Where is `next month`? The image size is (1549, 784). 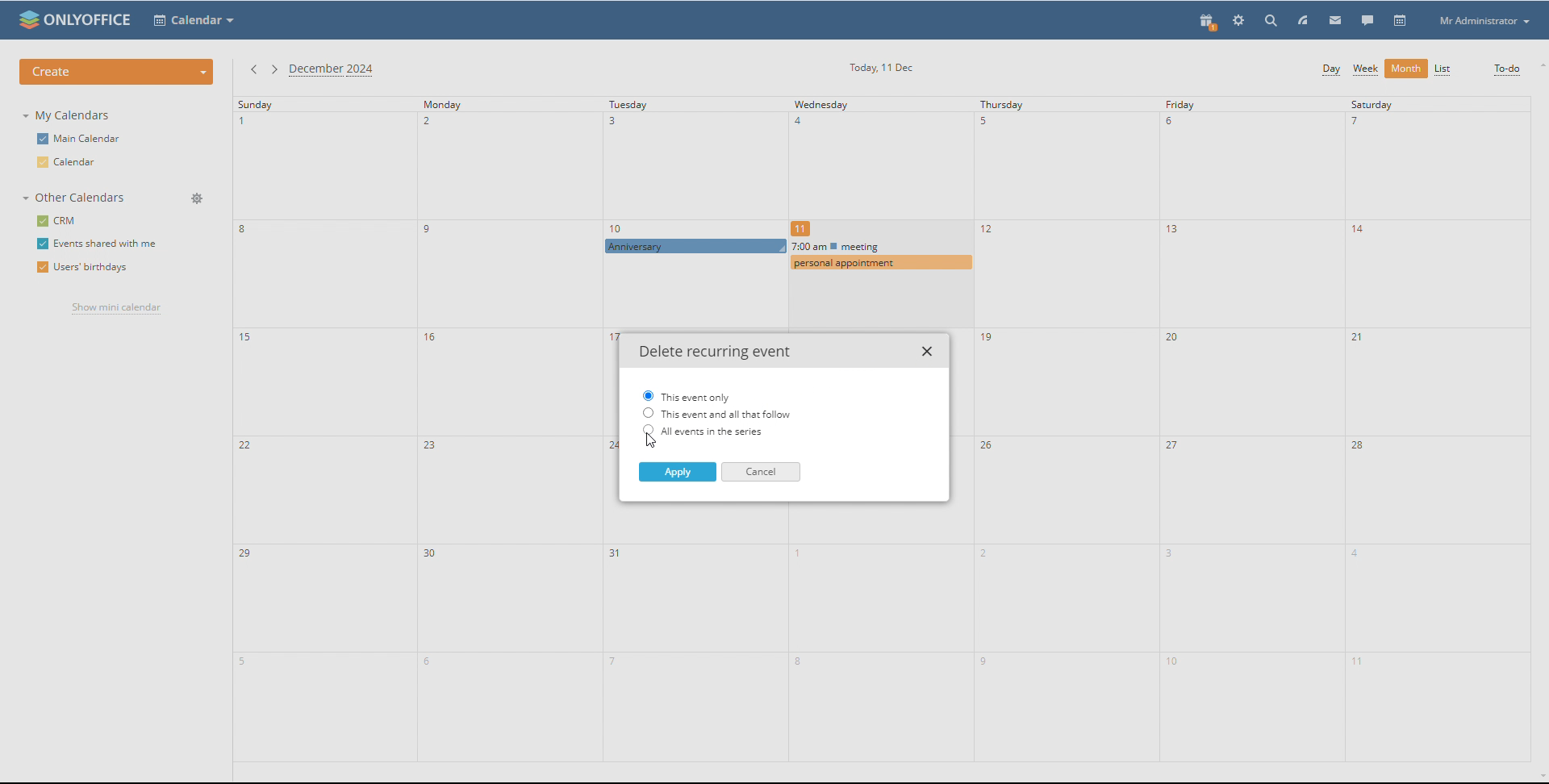
next month is located at coordinates (273, 70).